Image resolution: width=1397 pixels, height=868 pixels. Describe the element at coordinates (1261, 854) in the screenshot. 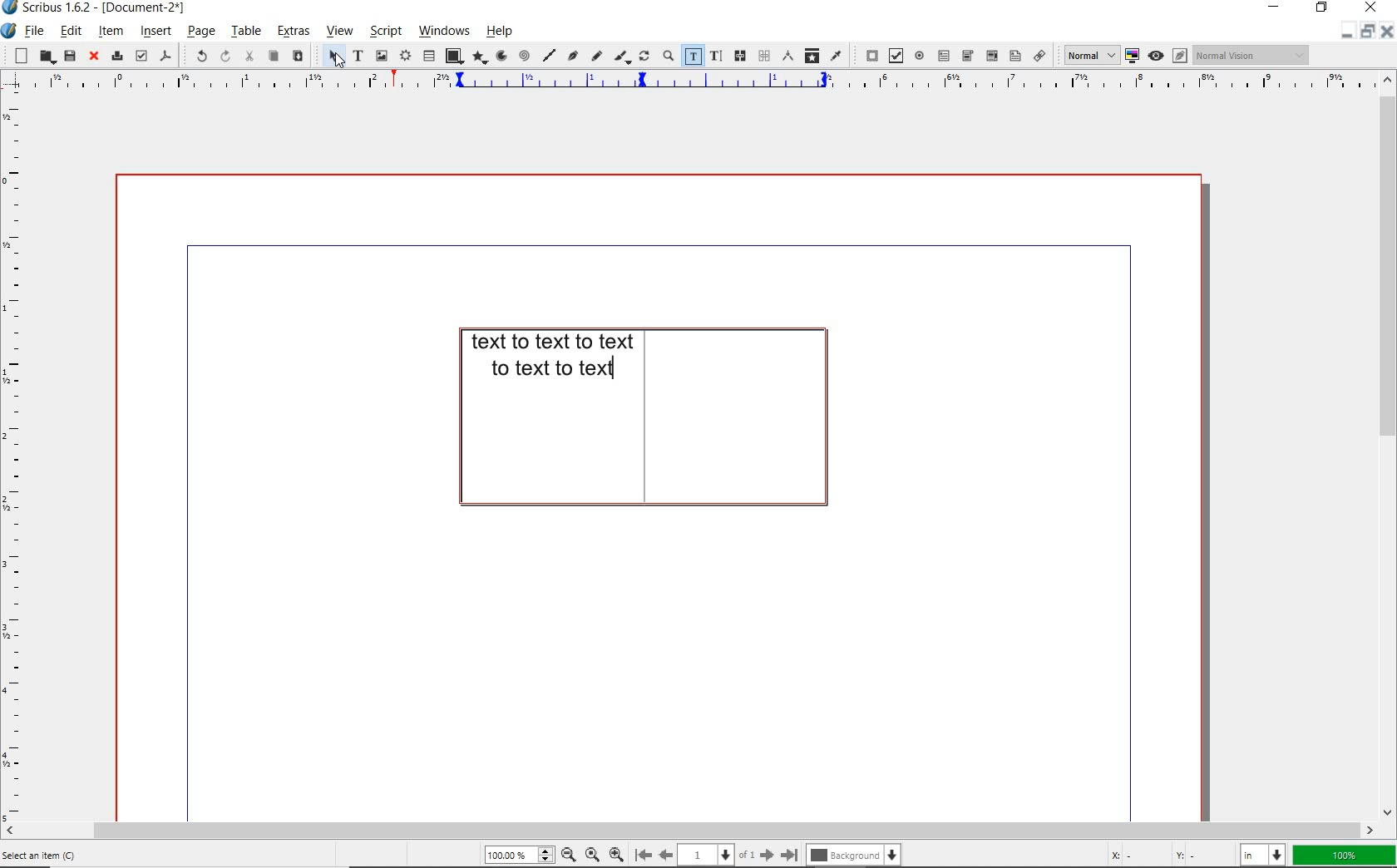

I see `select unit` at that location.